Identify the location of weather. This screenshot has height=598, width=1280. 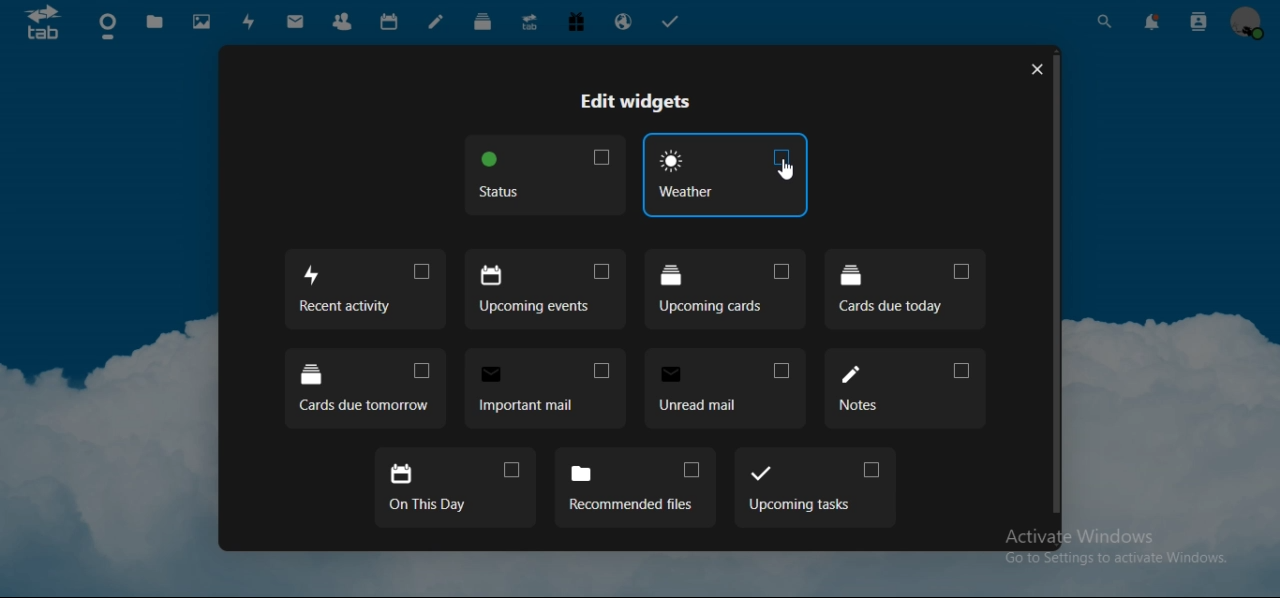
(725, 174).